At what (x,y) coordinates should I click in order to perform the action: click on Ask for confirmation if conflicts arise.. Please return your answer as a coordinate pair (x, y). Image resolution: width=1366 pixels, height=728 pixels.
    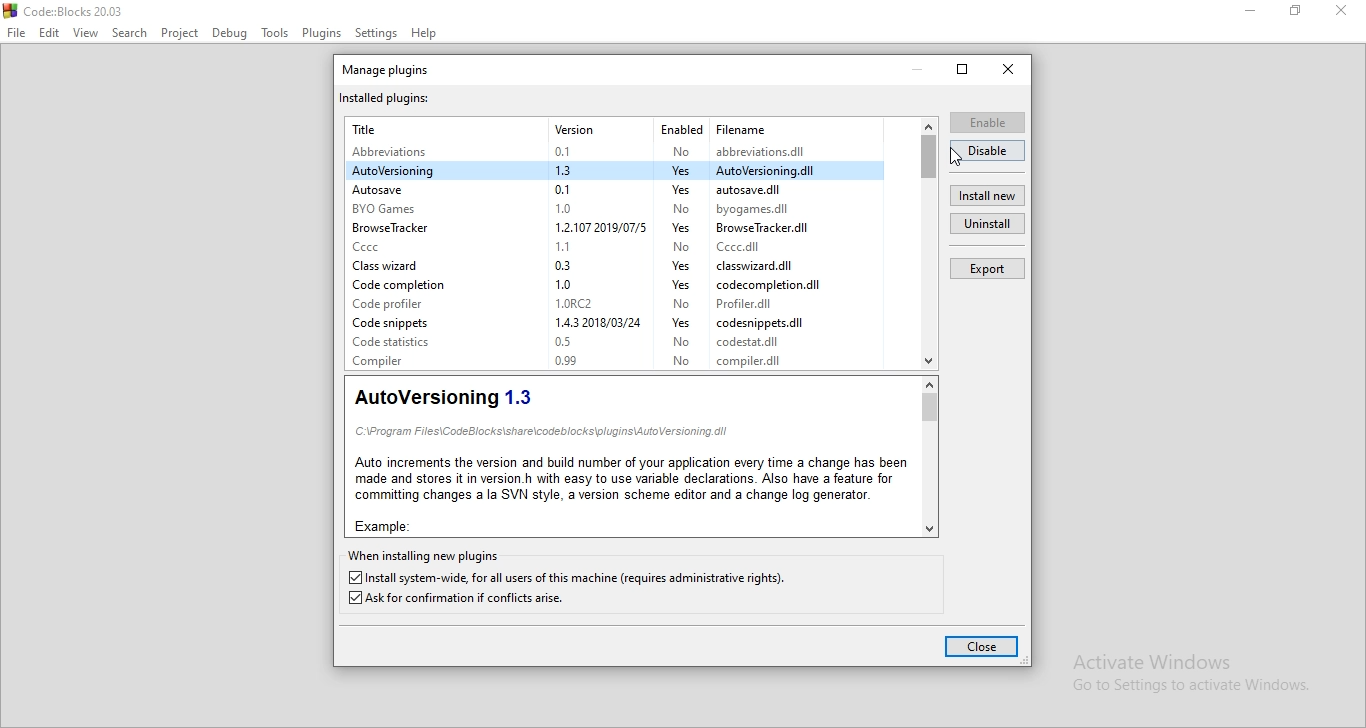
    Looking at the image, I should click on (462, 600).